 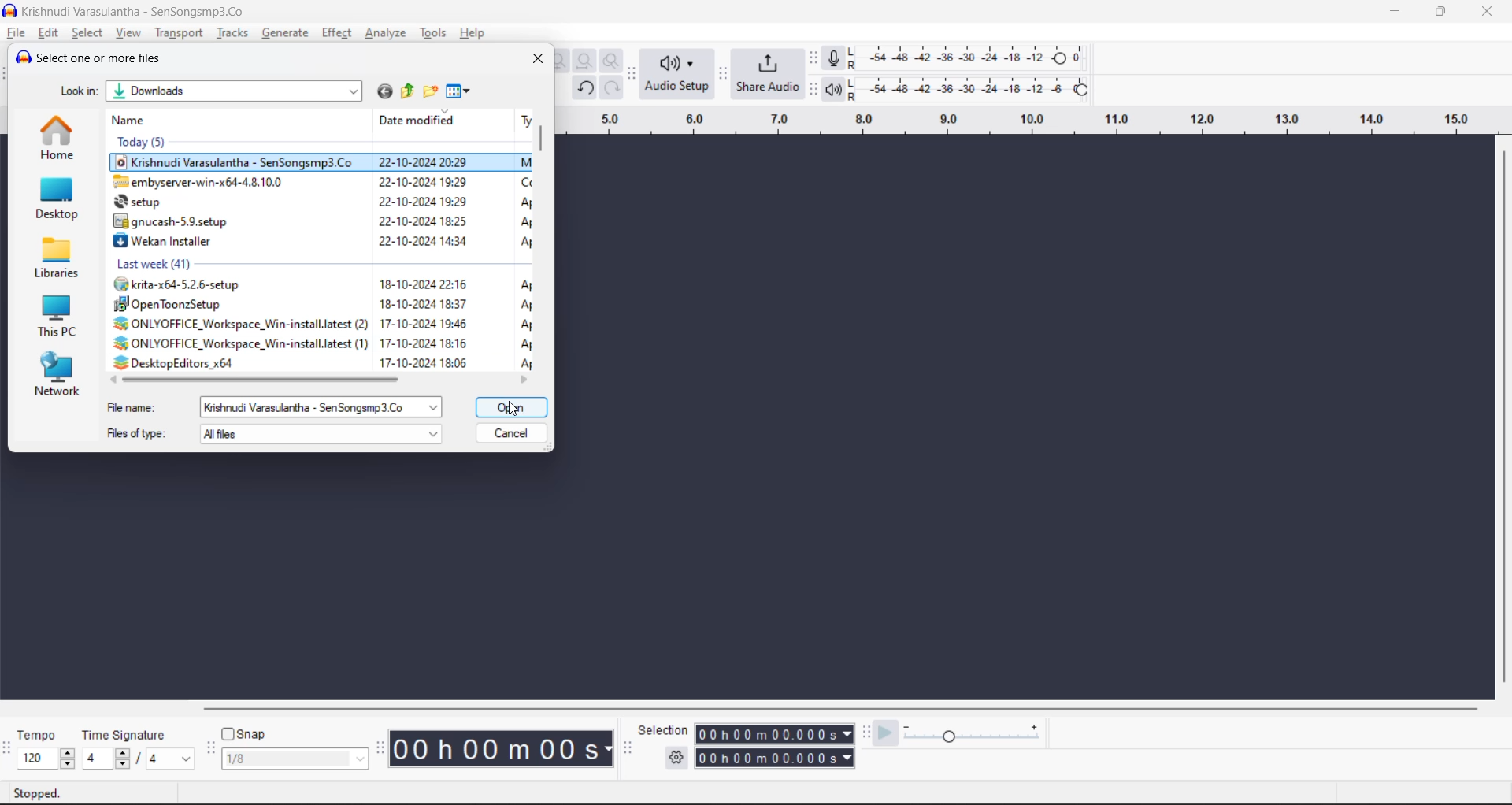 I want to click on playback level, so click(x=980, y=87).